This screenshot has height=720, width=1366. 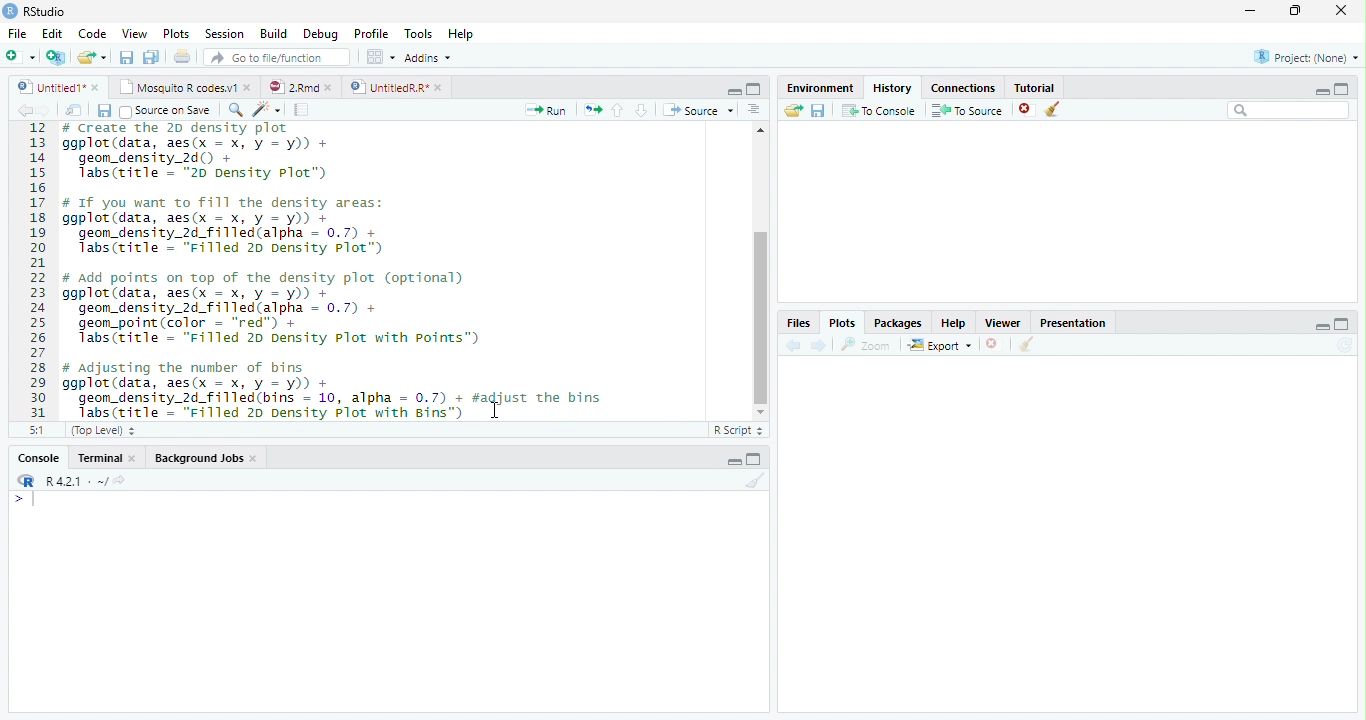 What do you see at coordinates (790, 345) in the screenshot?
I see `back` at bounding box center [790, 345].